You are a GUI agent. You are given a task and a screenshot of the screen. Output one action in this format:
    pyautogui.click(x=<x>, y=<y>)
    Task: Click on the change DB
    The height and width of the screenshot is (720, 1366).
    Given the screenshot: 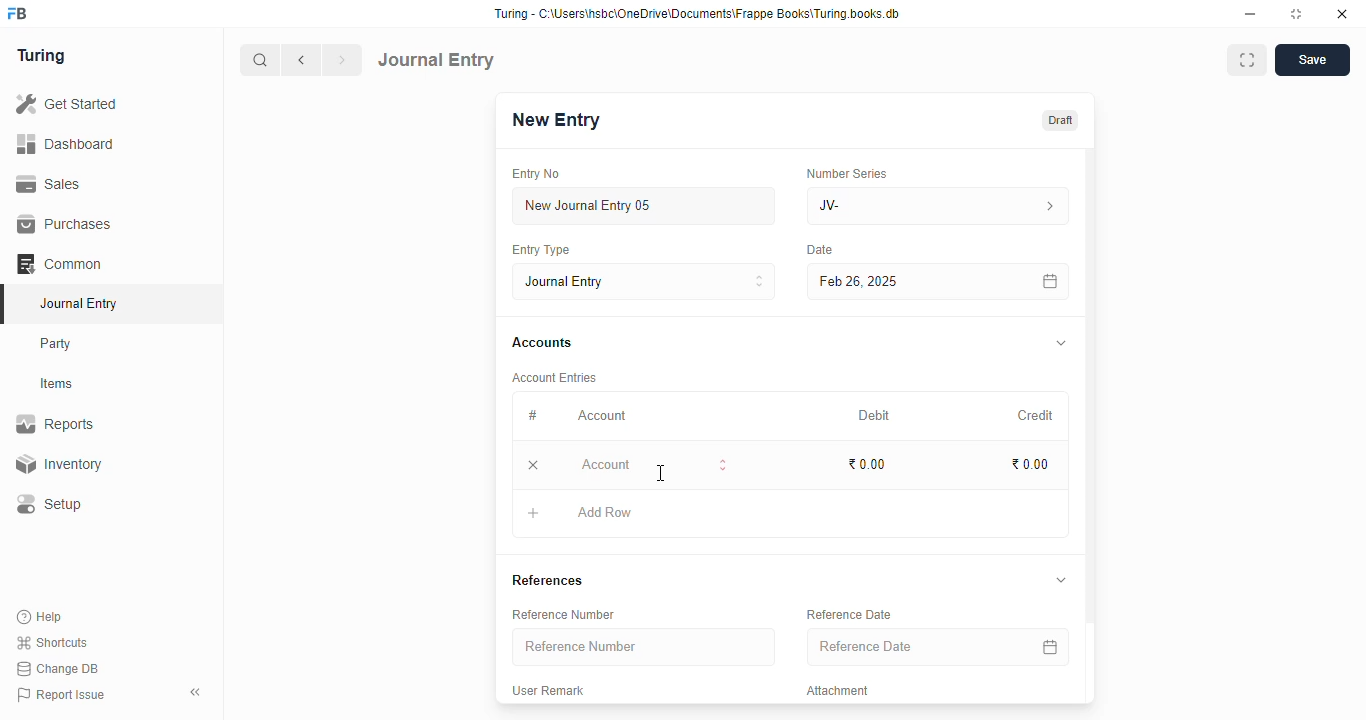 What is the action you would take?
    pyautogui.click(x=58, y=669)
    